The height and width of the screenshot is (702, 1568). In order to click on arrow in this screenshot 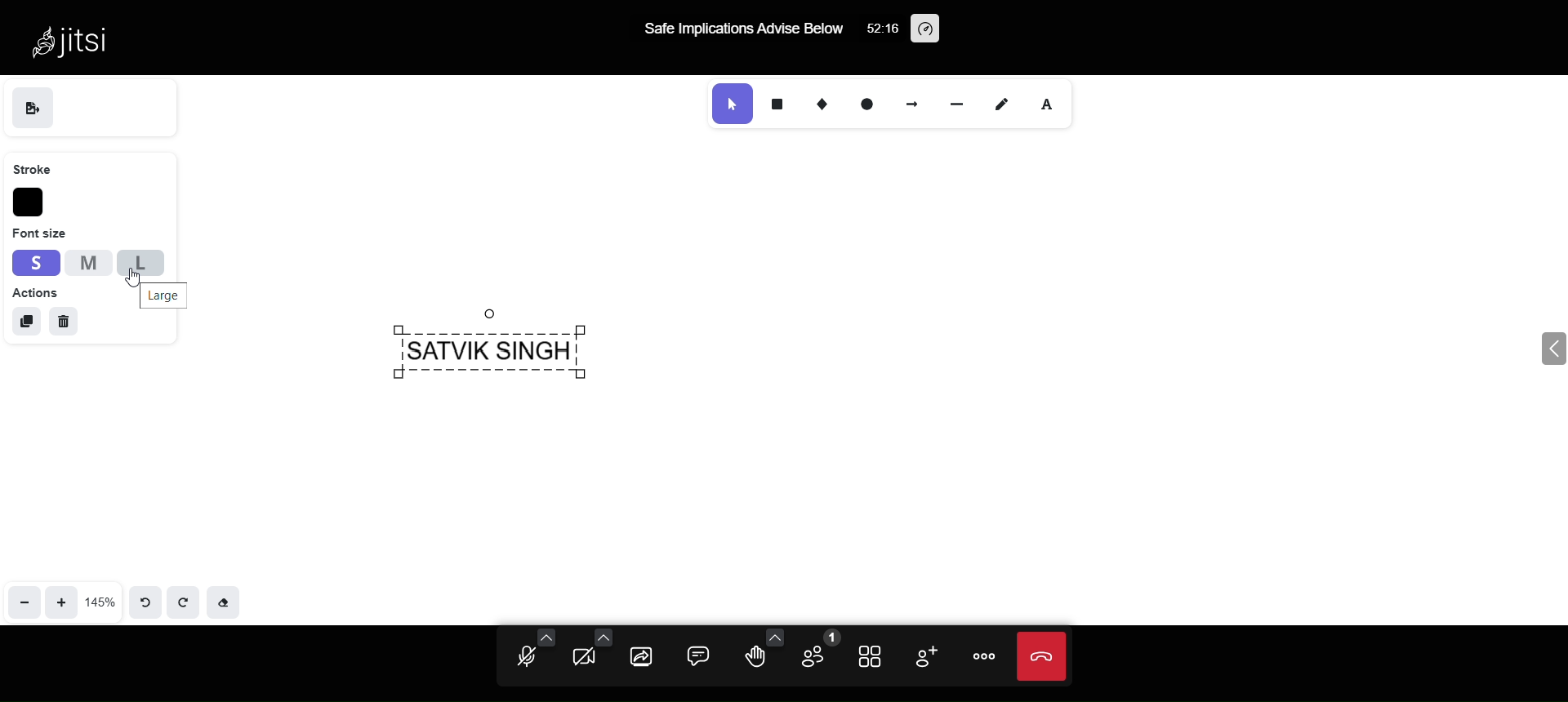, I will do `click(912, 101)`.